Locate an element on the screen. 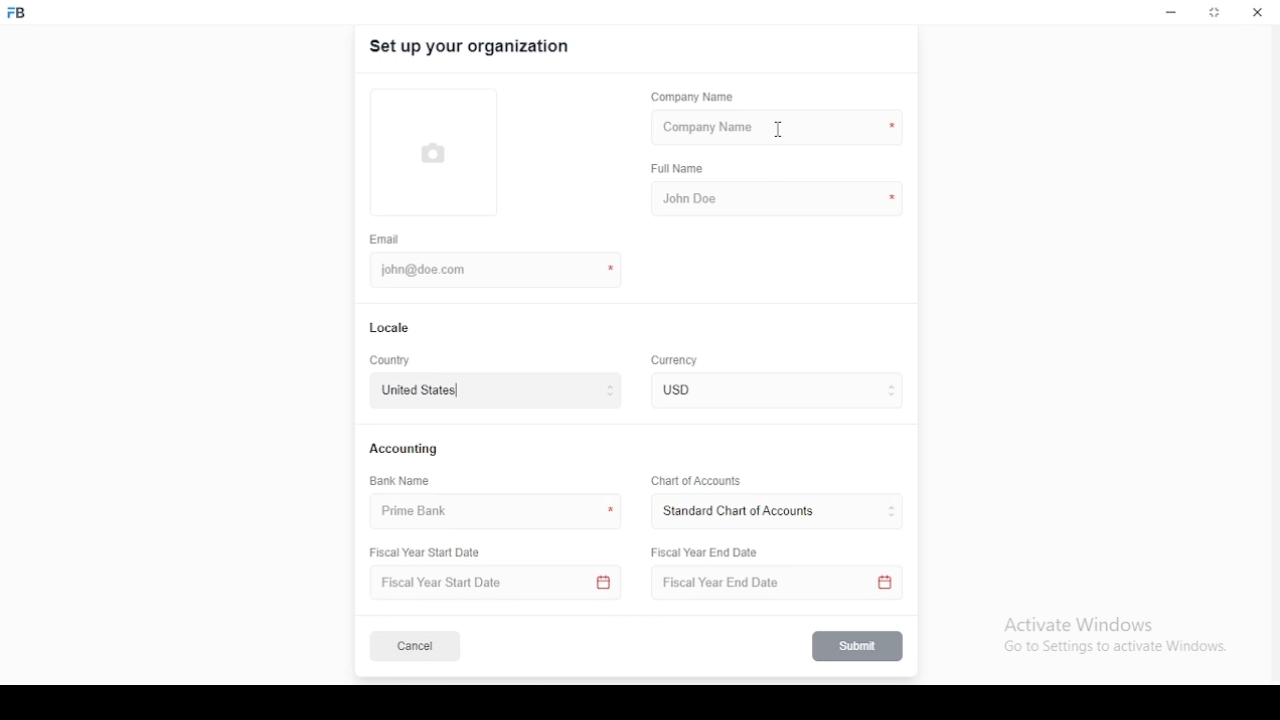 The height and width of the screenshot is (720, 1280). Fiscal Year Start Date is located at coordinates (498, 583).